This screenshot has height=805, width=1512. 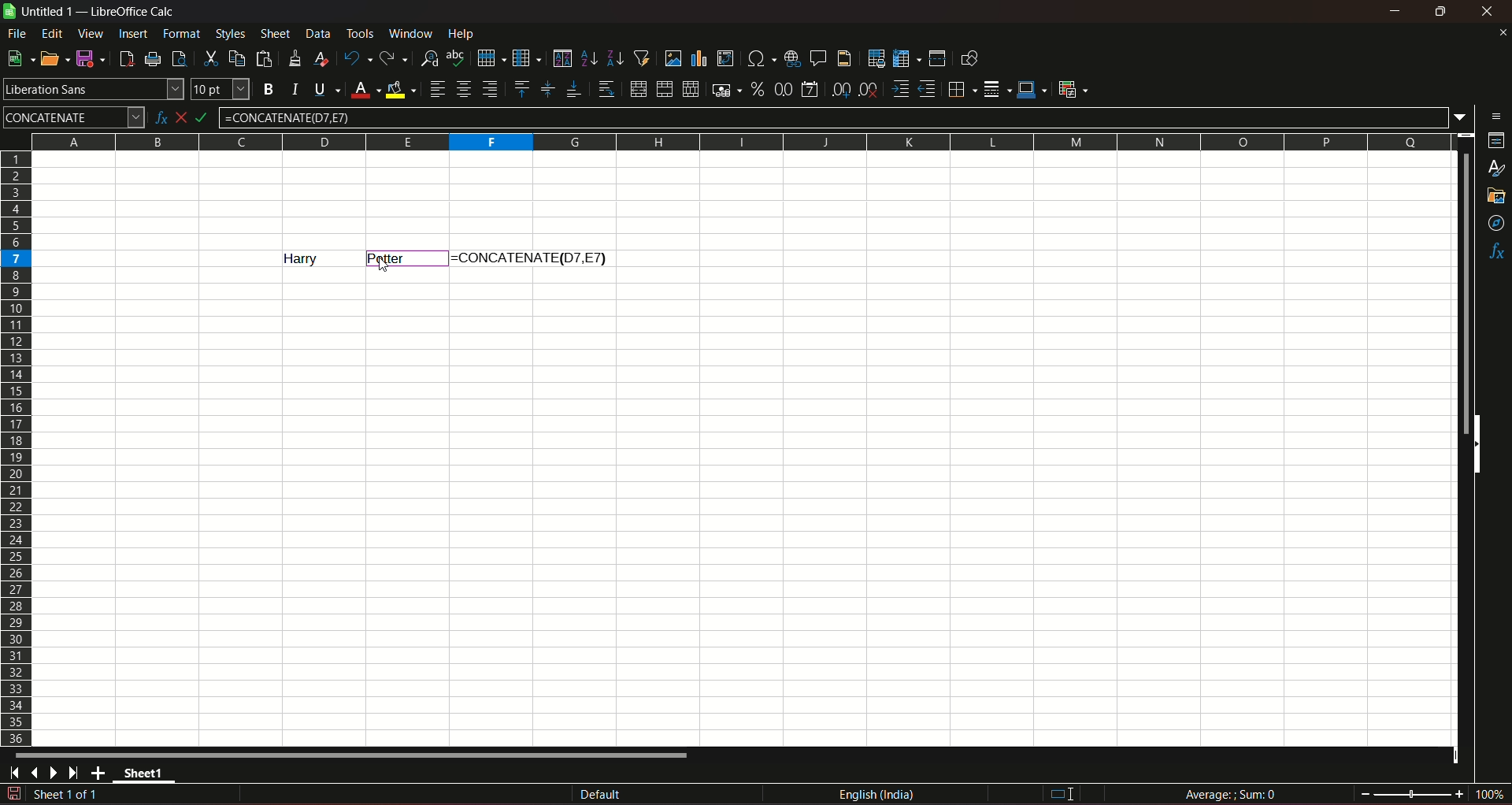 What do you see at coordinates (790, 57) in the screenshot?
I see `insert hyperlink` at bounding box center [790, 57].